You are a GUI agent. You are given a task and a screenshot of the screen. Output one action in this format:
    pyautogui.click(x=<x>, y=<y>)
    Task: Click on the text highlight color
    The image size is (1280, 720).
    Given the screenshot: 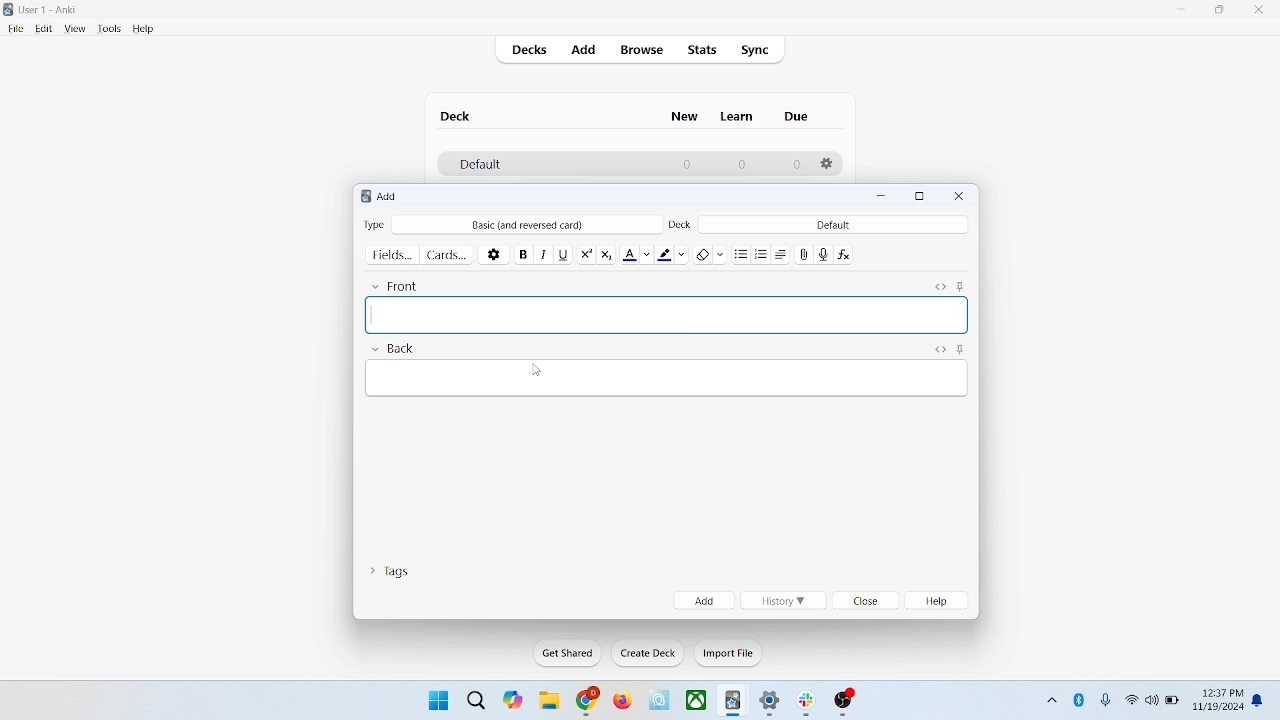 What is the action you would take?
    pyautogui.click(x=676, y=253)
    